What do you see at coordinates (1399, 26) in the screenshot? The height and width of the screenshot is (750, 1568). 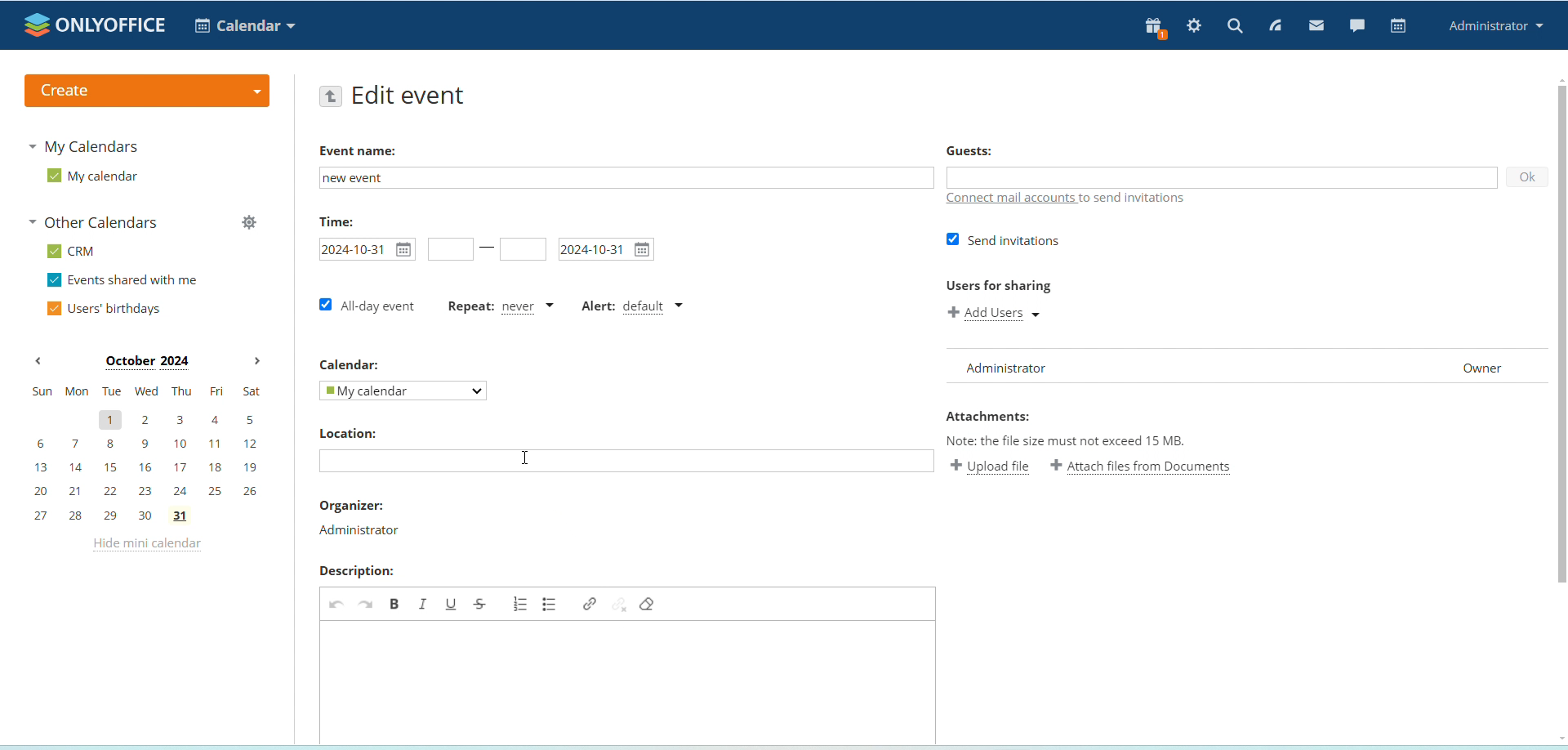 I see `calendar` at bounding box center [1399, 26].